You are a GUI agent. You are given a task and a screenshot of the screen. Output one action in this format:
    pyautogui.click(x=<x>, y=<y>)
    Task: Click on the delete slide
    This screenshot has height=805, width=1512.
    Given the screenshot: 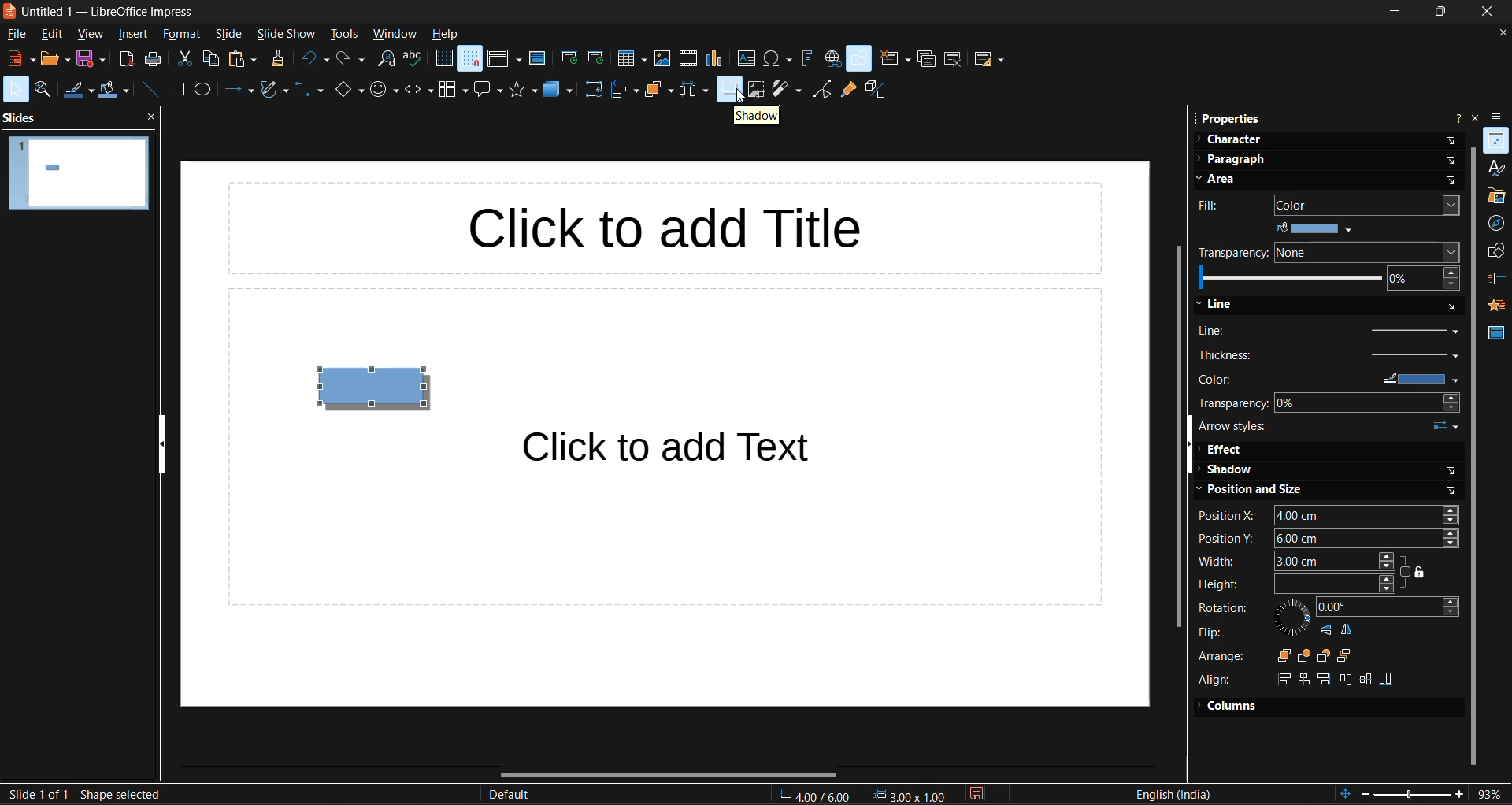 What is the action you would take?
    pyautogui.click(x=951, y=60)
    